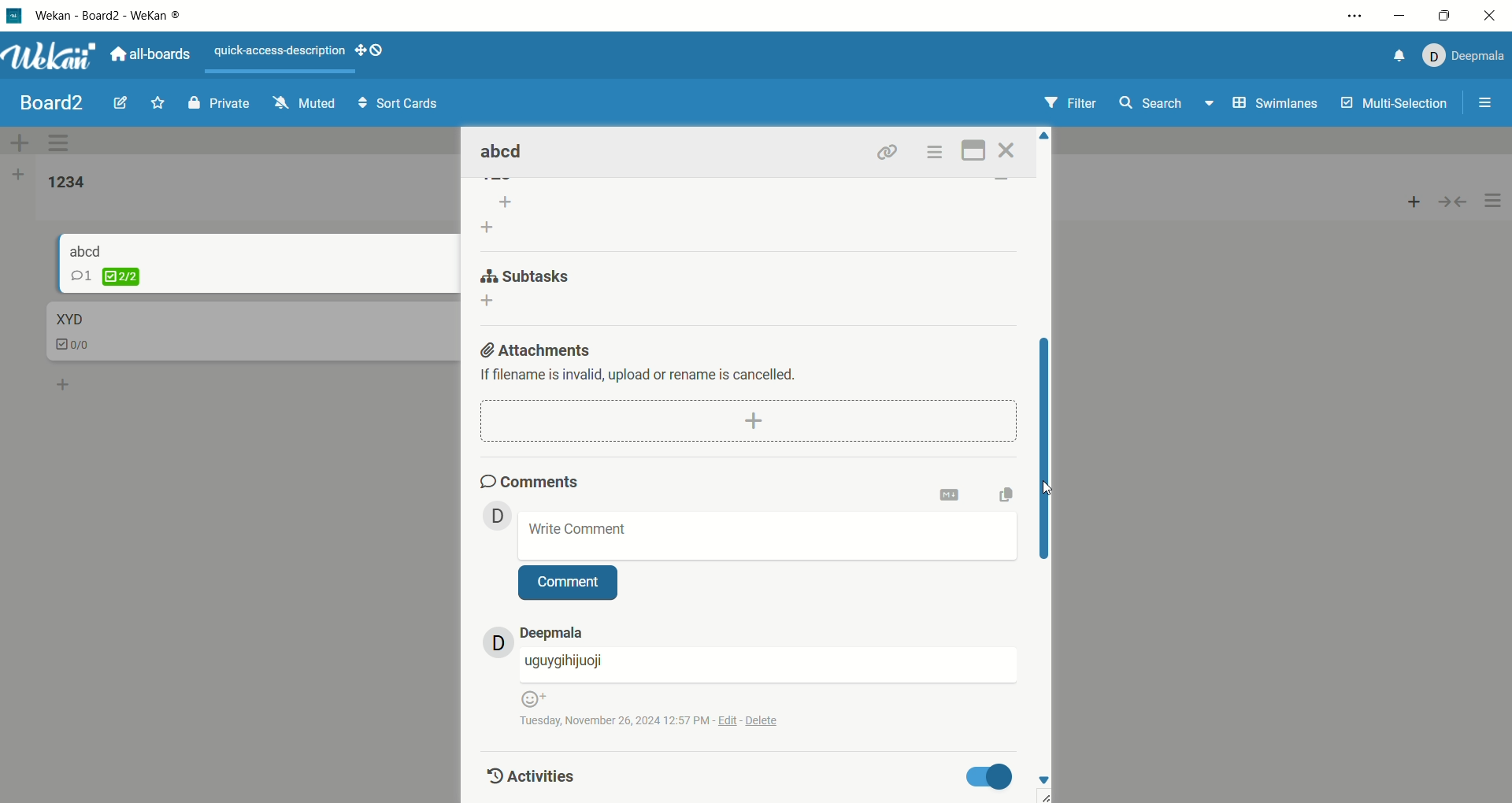 The height and width of the screenshot is (803, 1512). What do you see at coordinates (219, 102) in the screenshot?
I see `private` at bounding box center [219, 102].